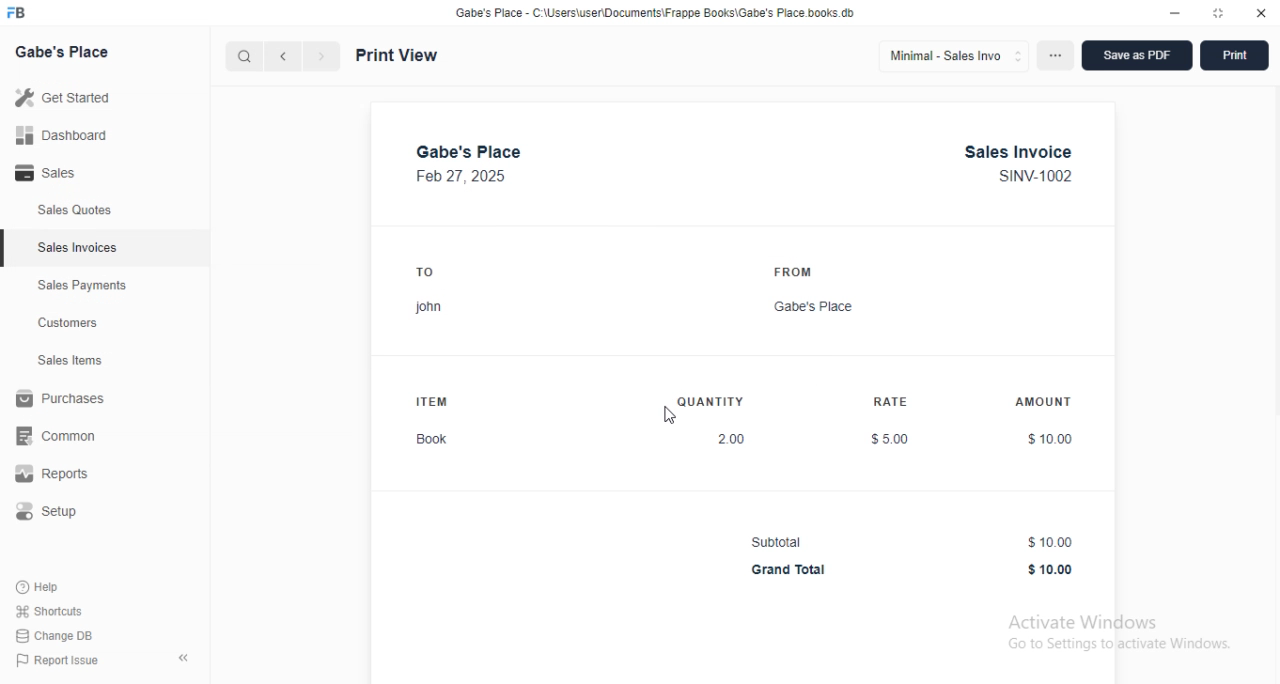 The image size is (1280, 684). I want to click on RATE, so click(892, 401).